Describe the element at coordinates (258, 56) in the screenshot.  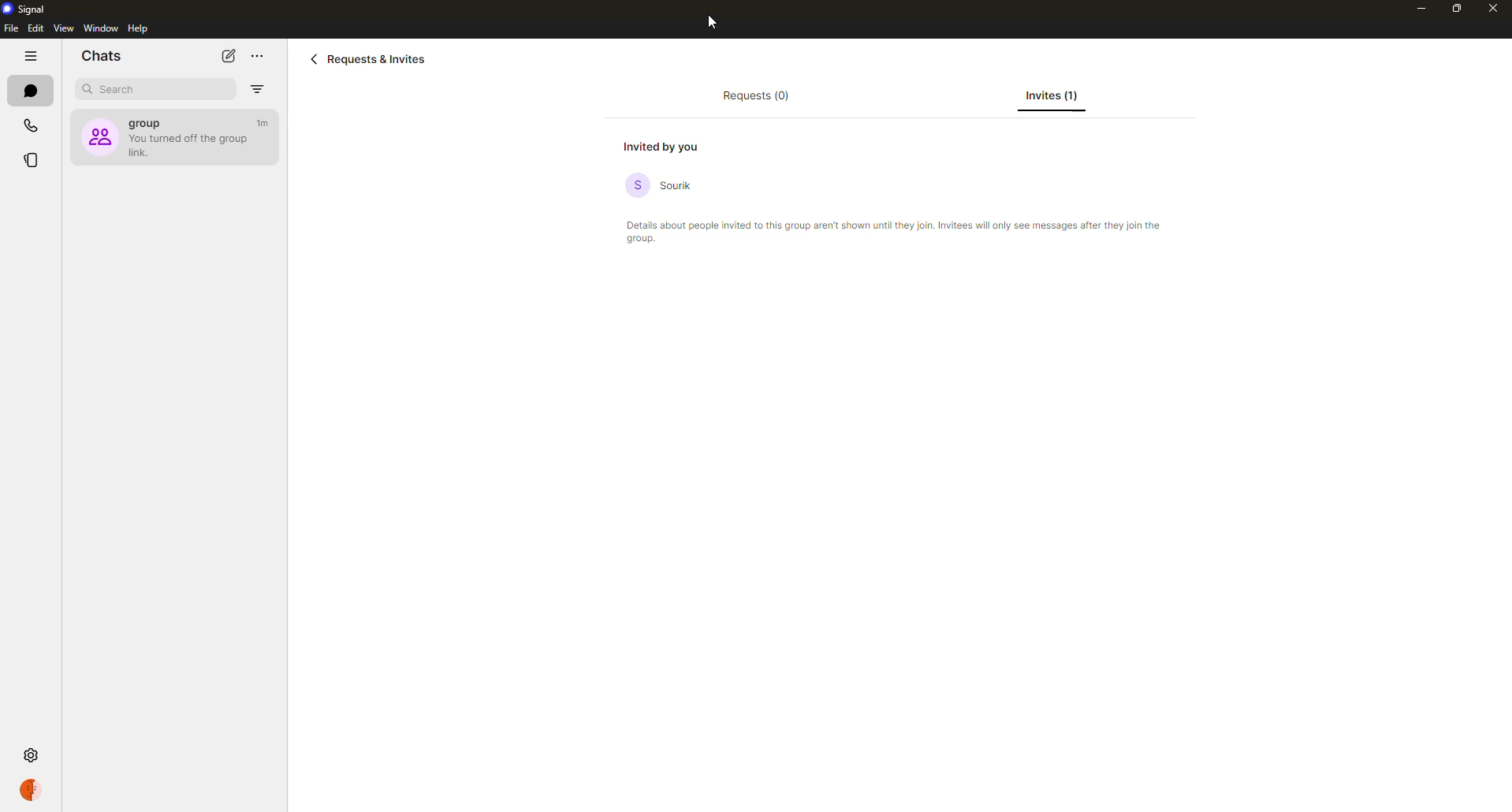
I see `more` at that location.